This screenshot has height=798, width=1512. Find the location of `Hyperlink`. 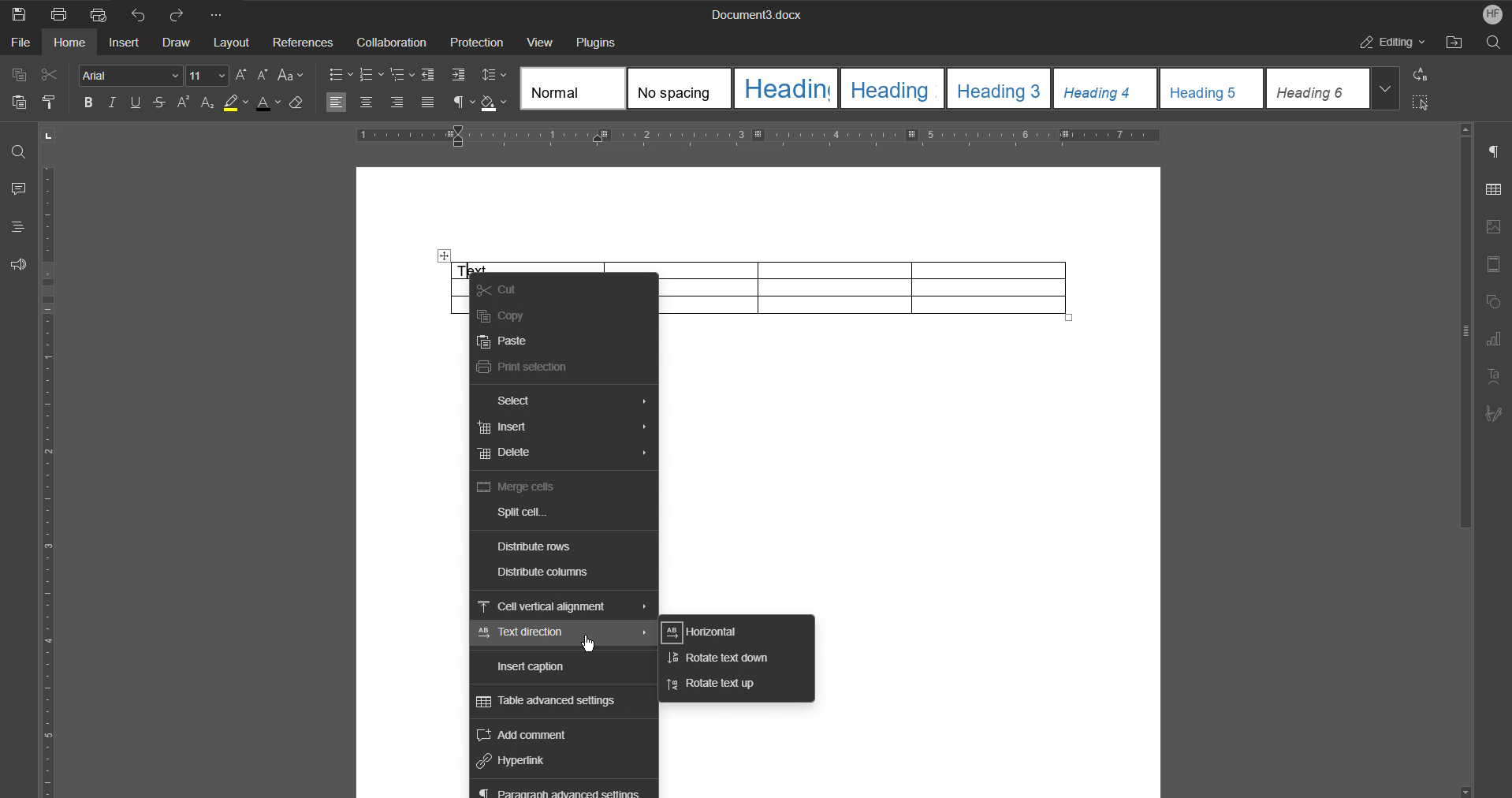

Hyperlink is located at coordinates (517, 761).